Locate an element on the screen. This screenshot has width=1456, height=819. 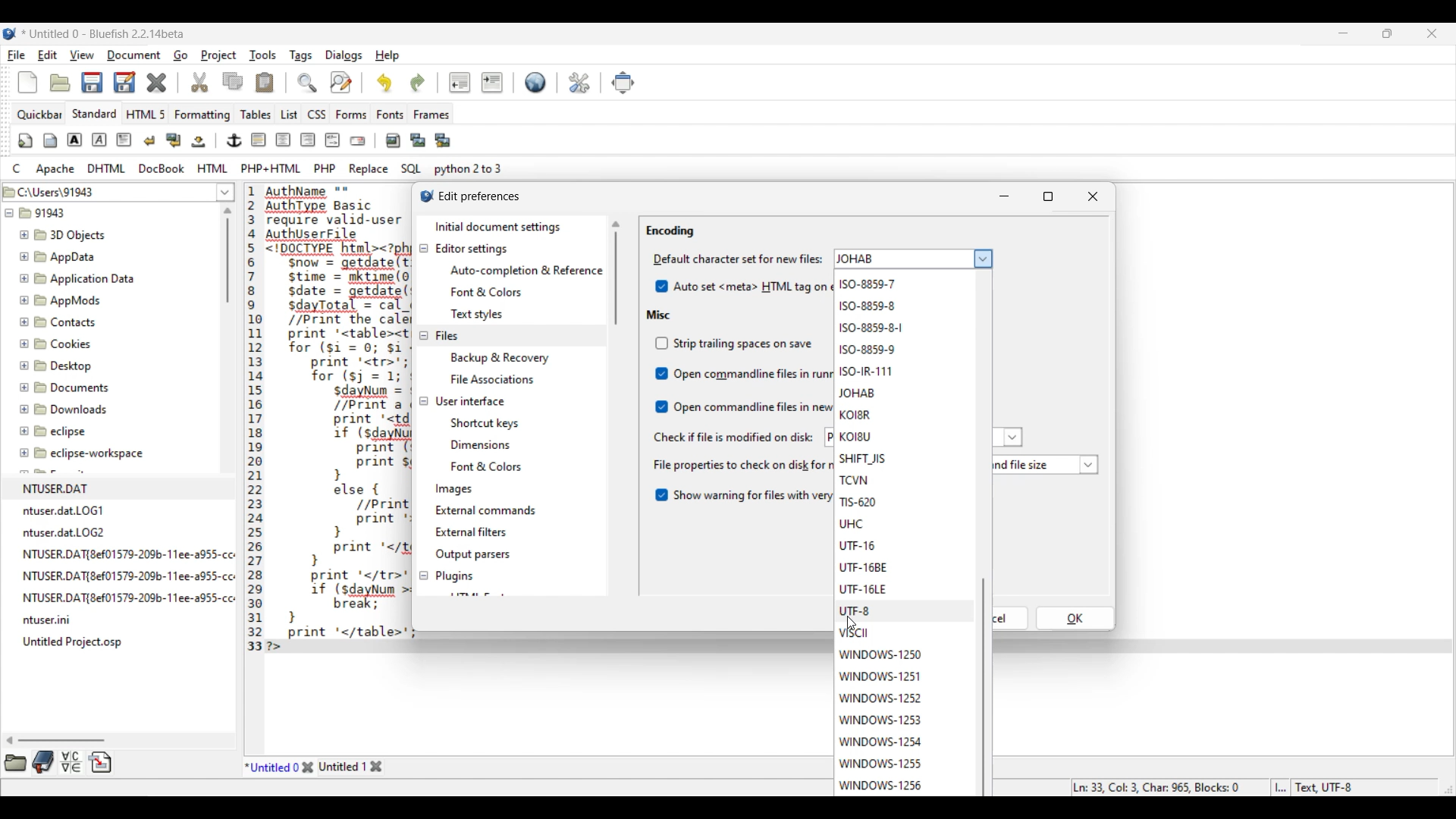
Current tab highlighted is located at coordinates (272, 766).